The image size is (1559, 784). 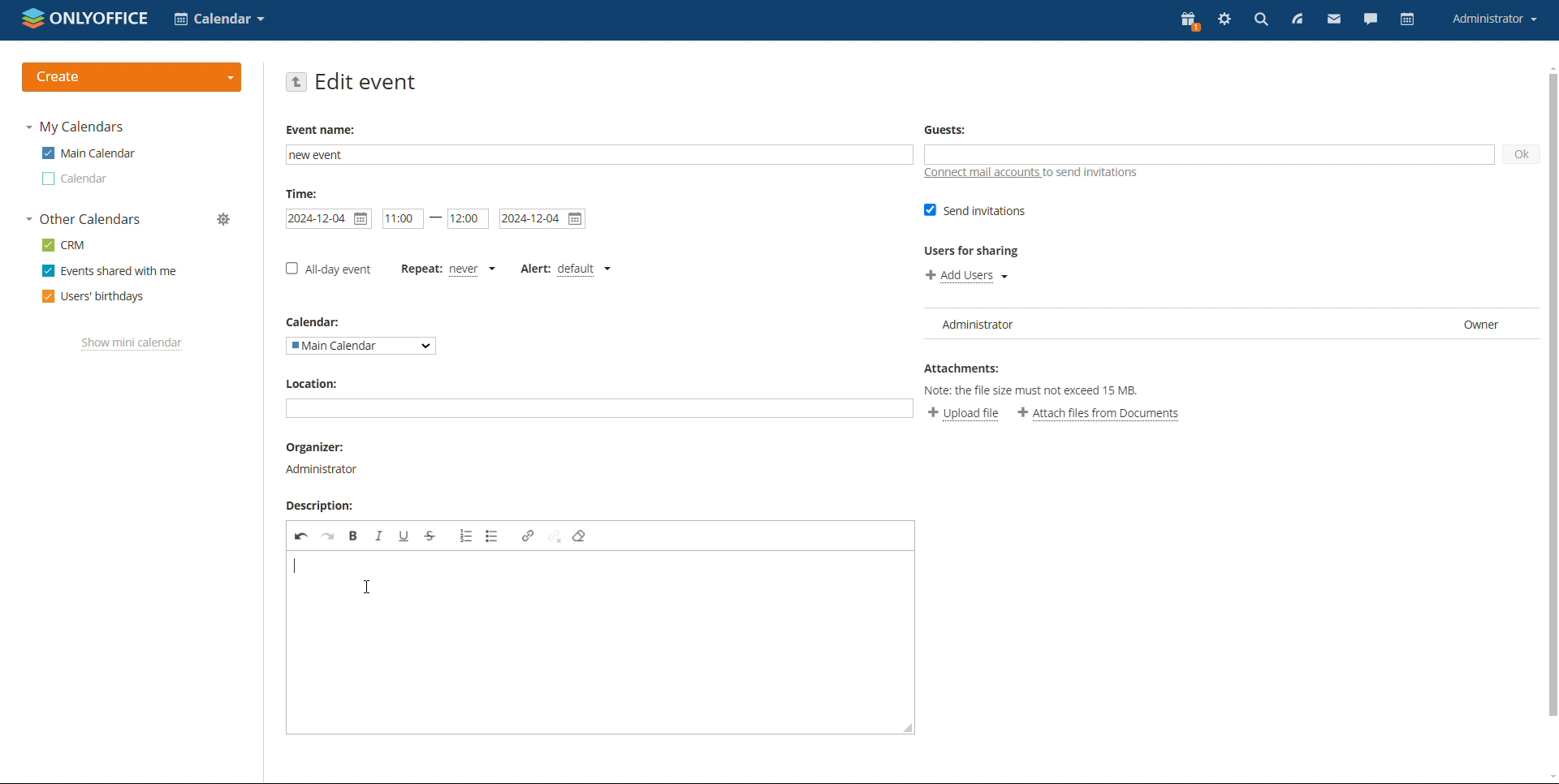 I want to click on adding description, so click(x=296, y=566).